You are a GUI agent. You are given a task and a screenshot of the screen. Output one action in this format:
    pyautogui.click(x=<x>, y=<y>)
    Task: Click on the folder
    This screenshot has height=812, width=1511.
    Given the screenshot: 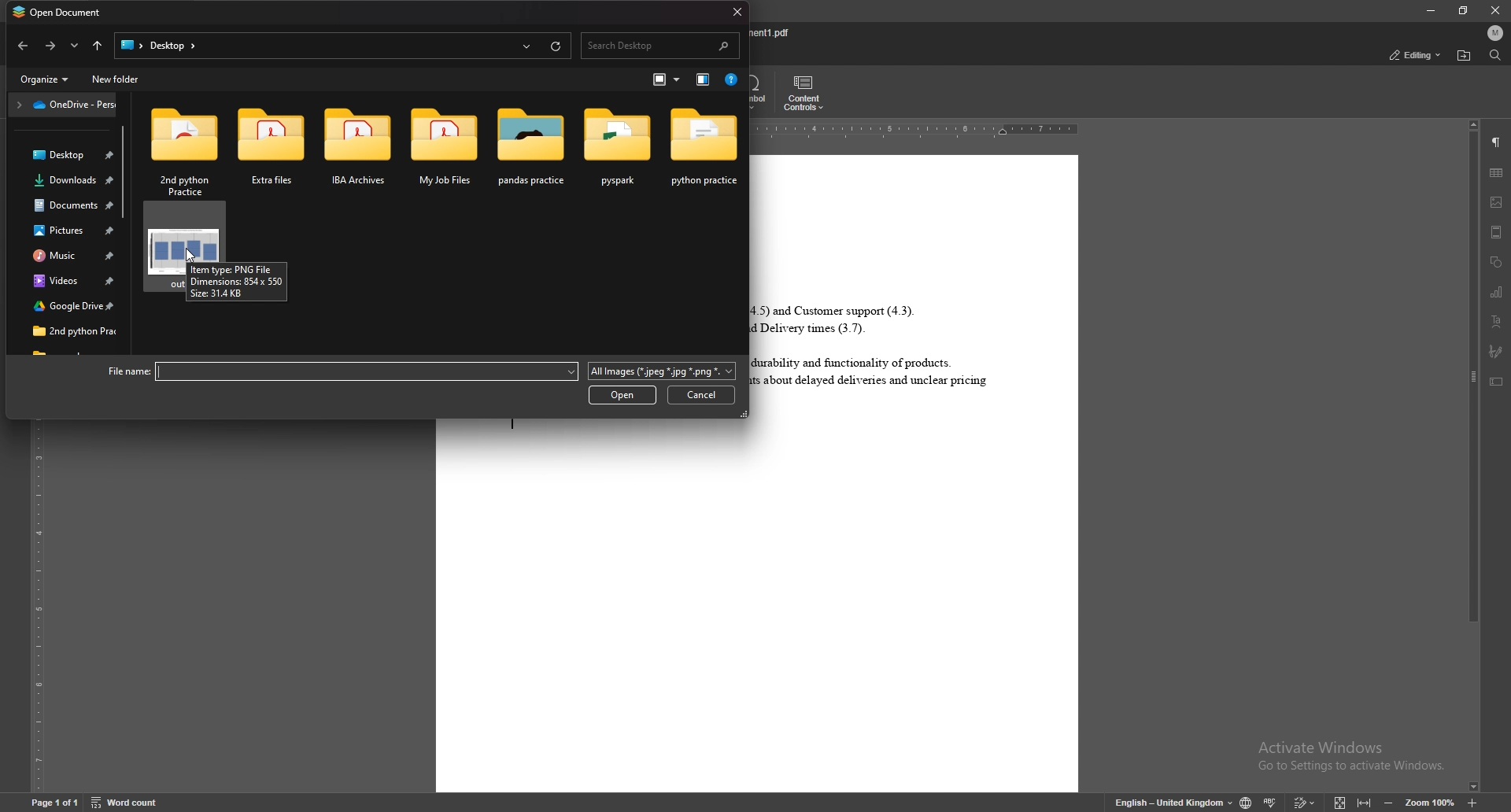 What is the action you would take?
    pyautogui.click(x=64, y=256)
    